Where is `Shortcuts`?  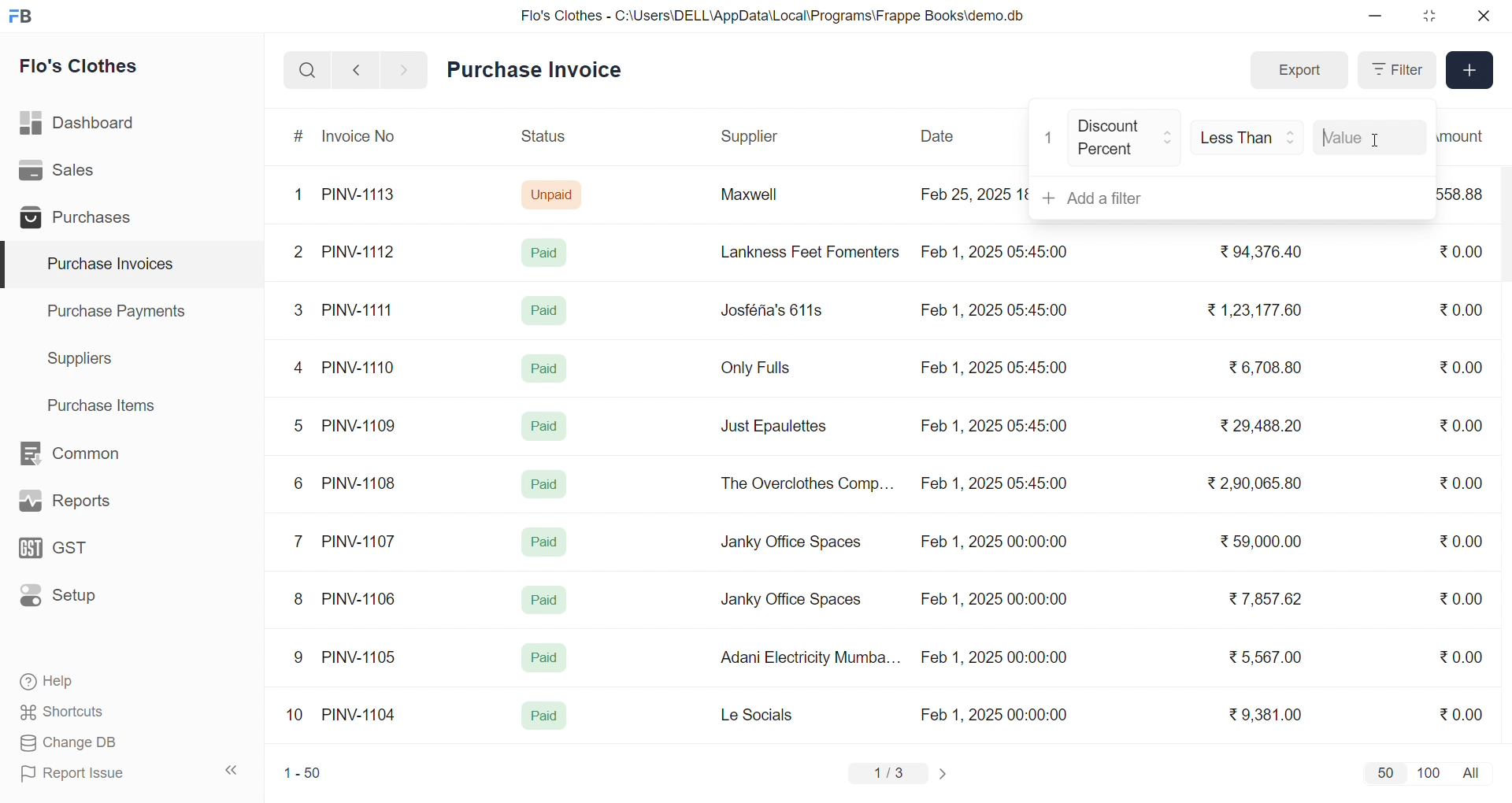
Shortcuts is located at coordinates (99, 712).